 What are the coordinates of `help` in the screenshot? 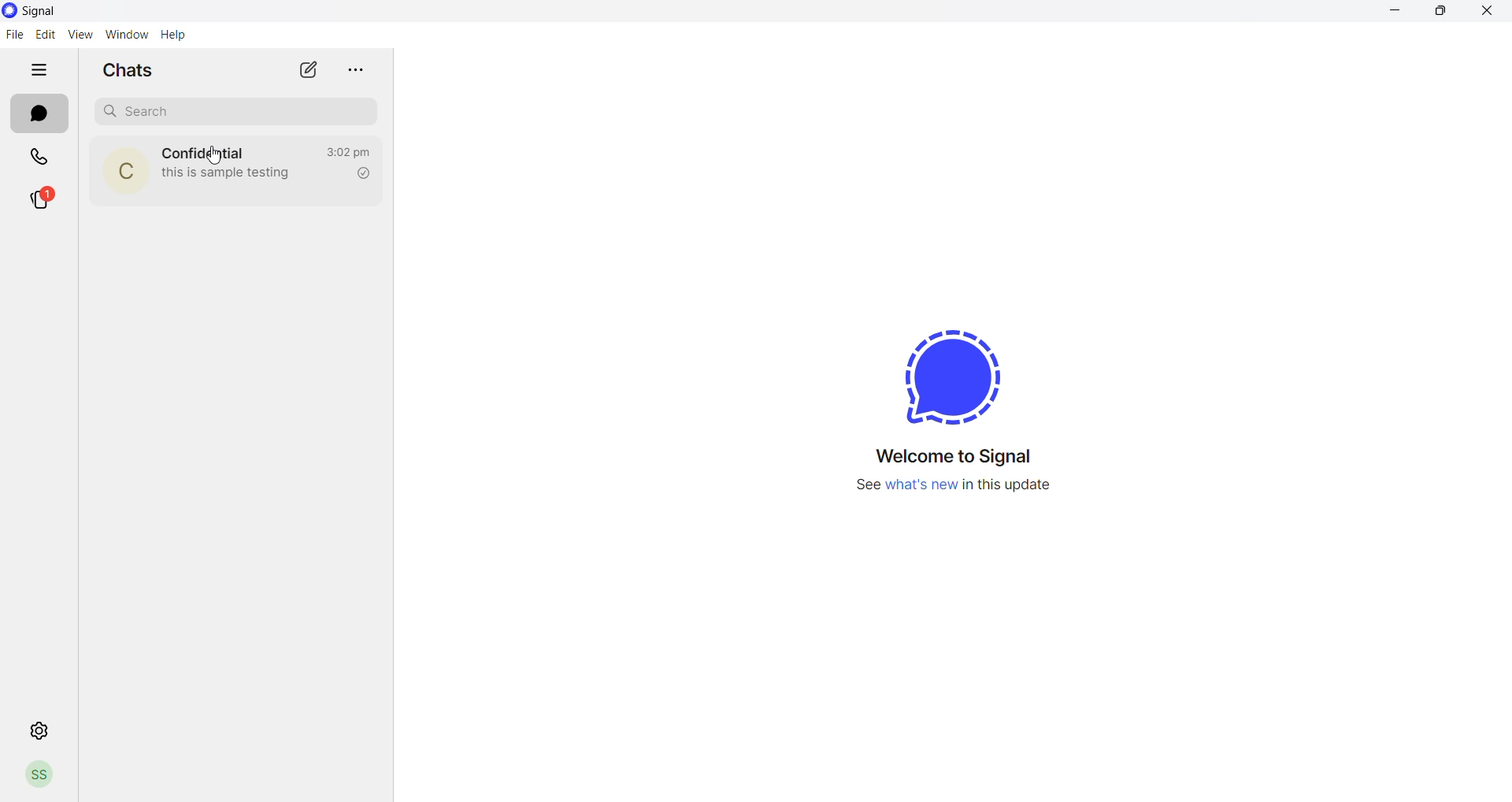 It's located at (176, 35).